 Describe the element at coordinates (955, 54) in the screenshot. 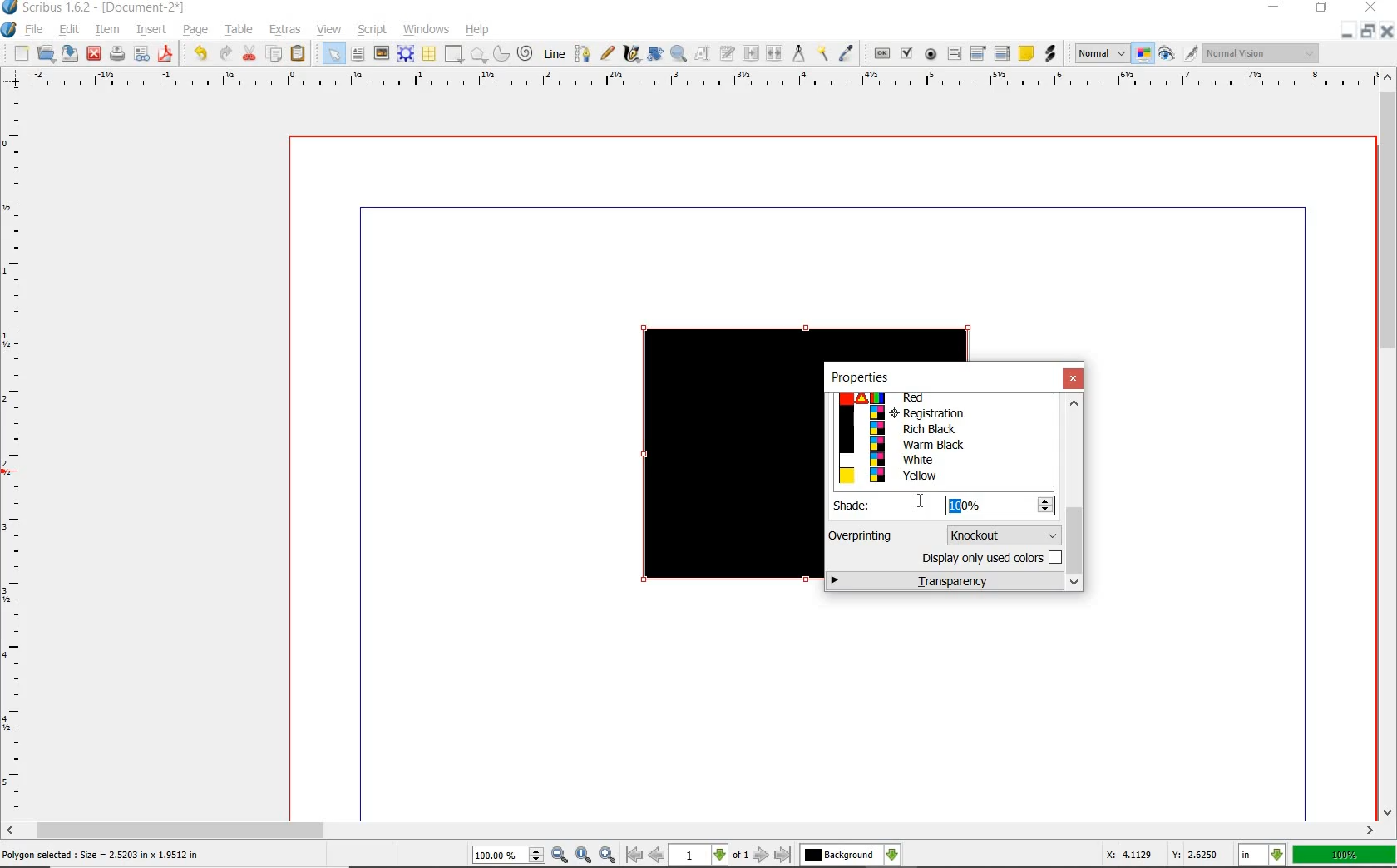

I see `pdf text field` at that location.